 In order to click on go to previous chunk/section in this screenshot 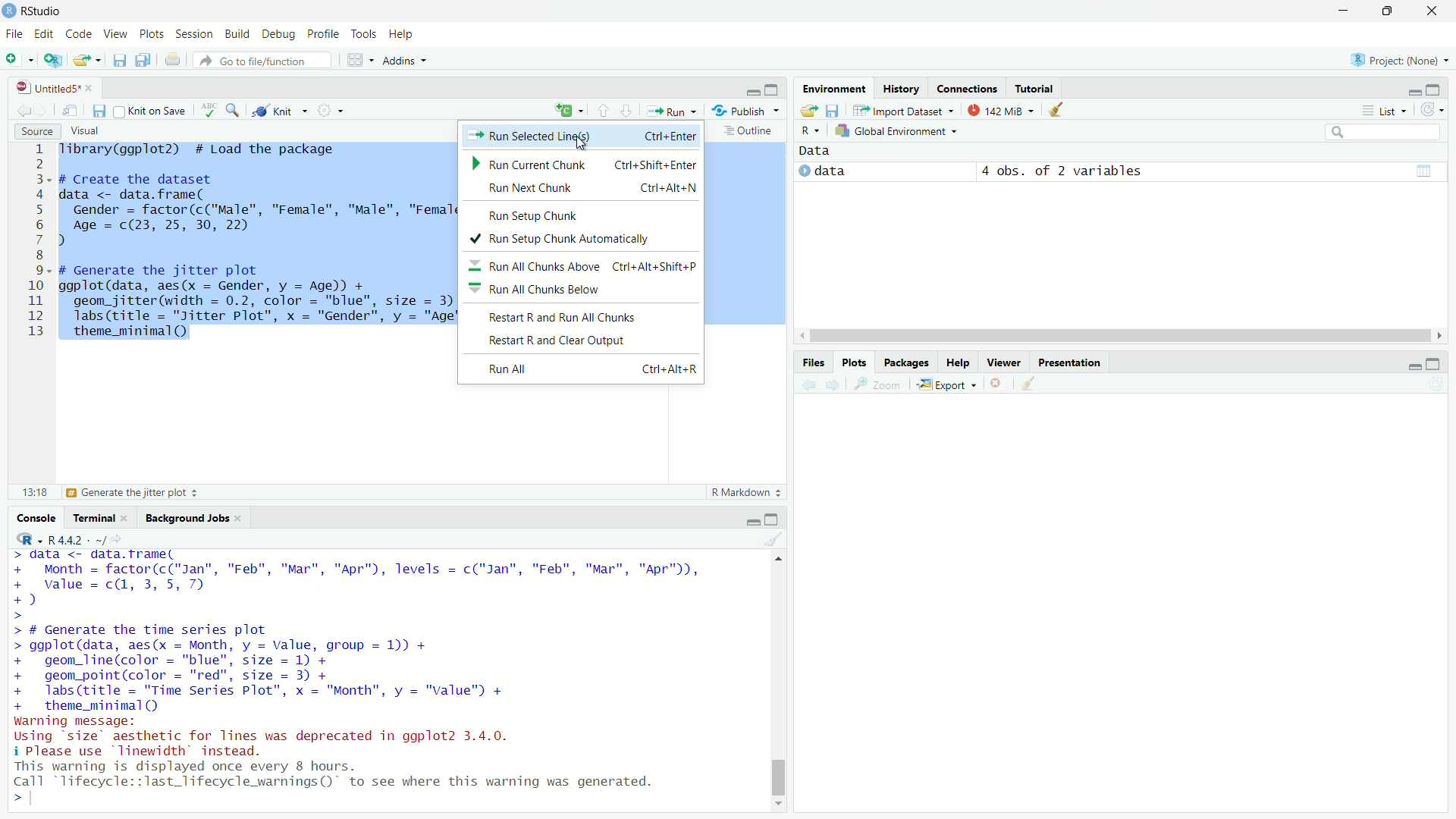, I will do `click(602, 108)`.